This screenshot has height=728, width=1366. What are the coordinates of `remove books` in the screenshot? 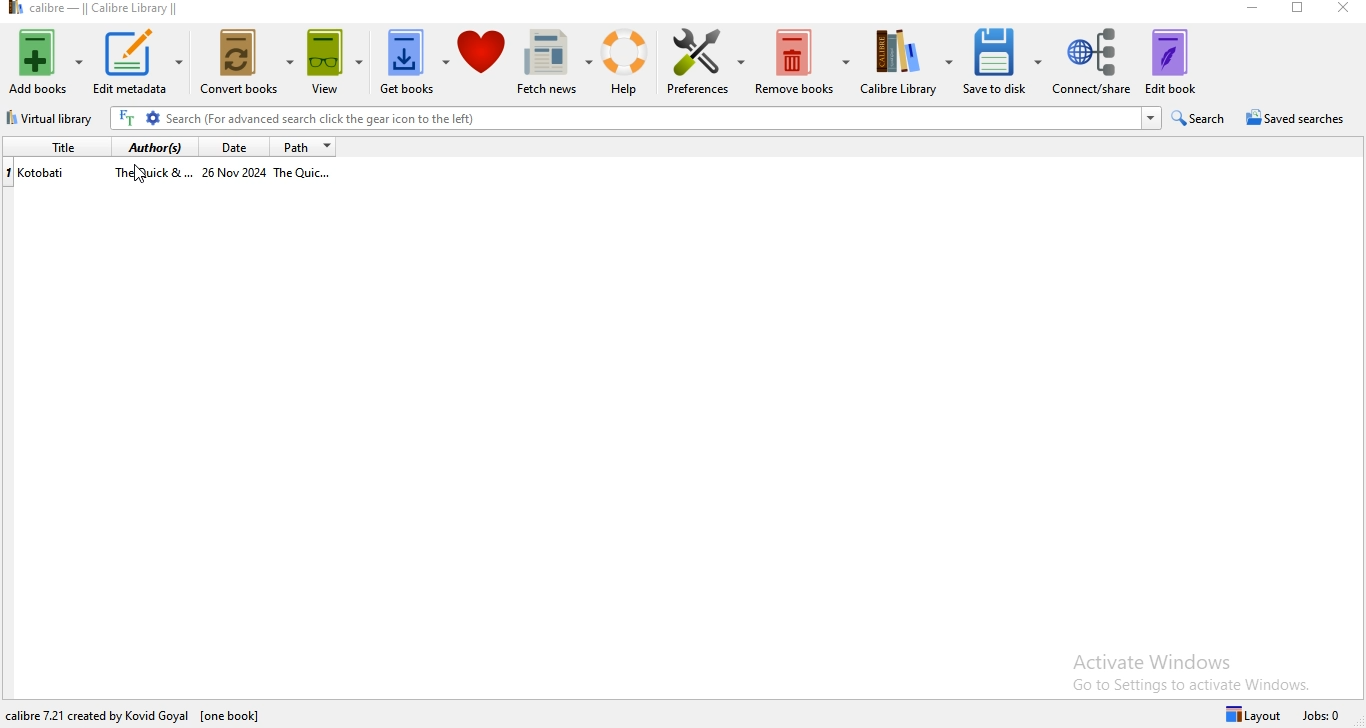 It's located at (802, 60).